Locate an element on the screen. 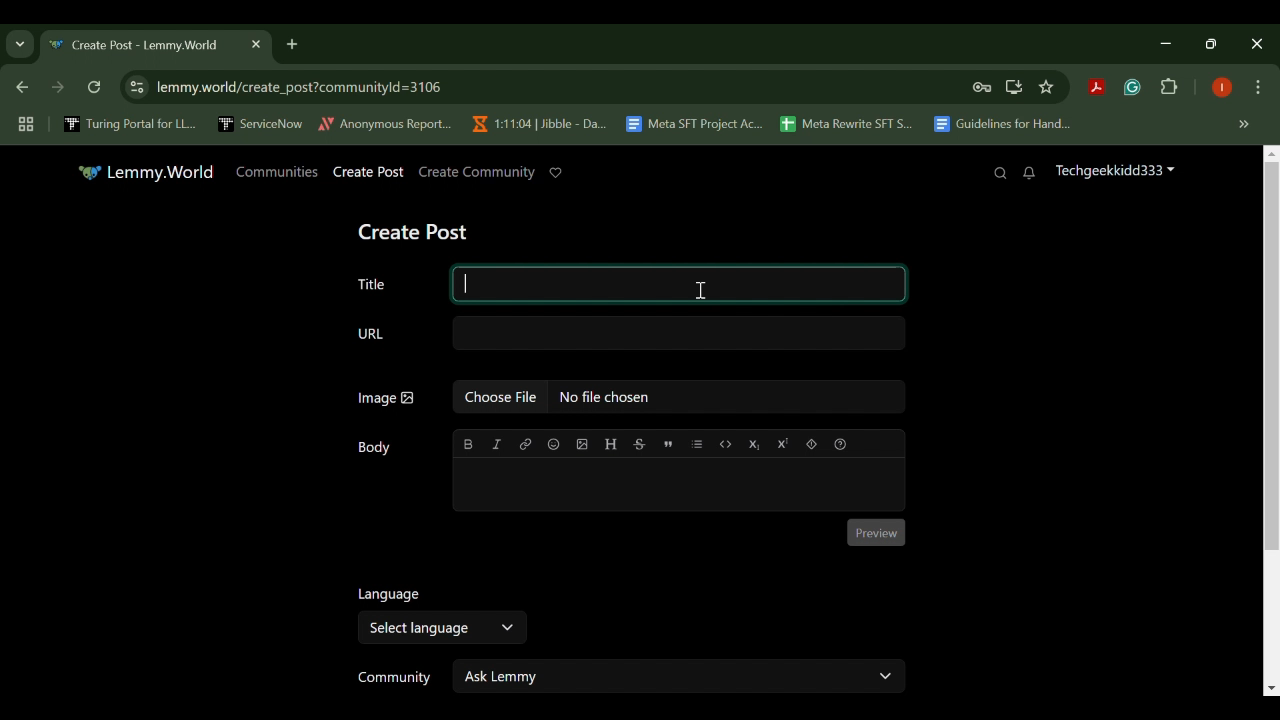 Image resolution: width=1280 pixels, height=720 pixels. Tab Groups is located at coordinates (23, 125).